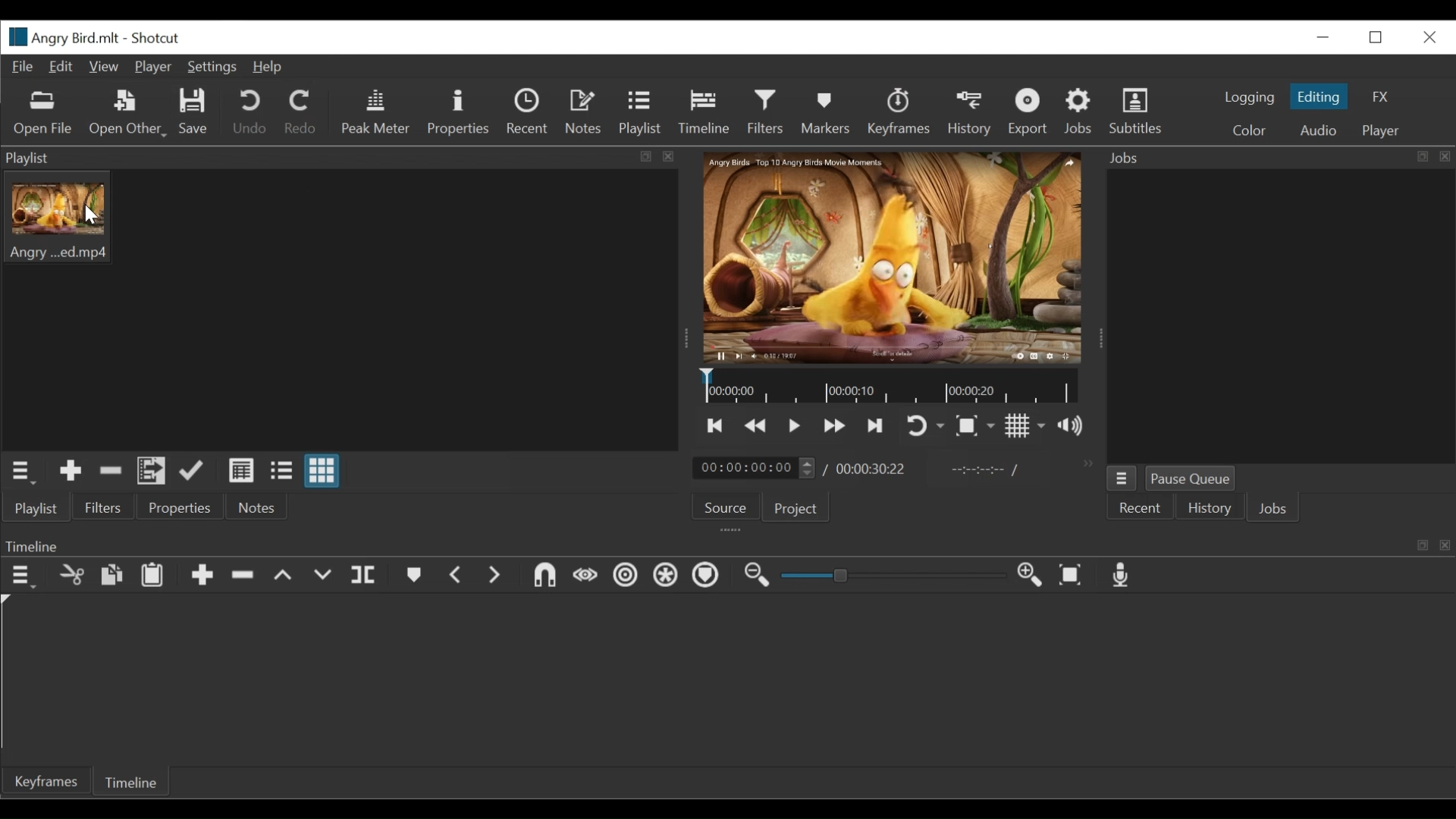 This screenshot has width=1456, height=819. What do you see at coordinates (755, 468) in the screenshot?
I see `Current duration` at bounding box center [755, 468].